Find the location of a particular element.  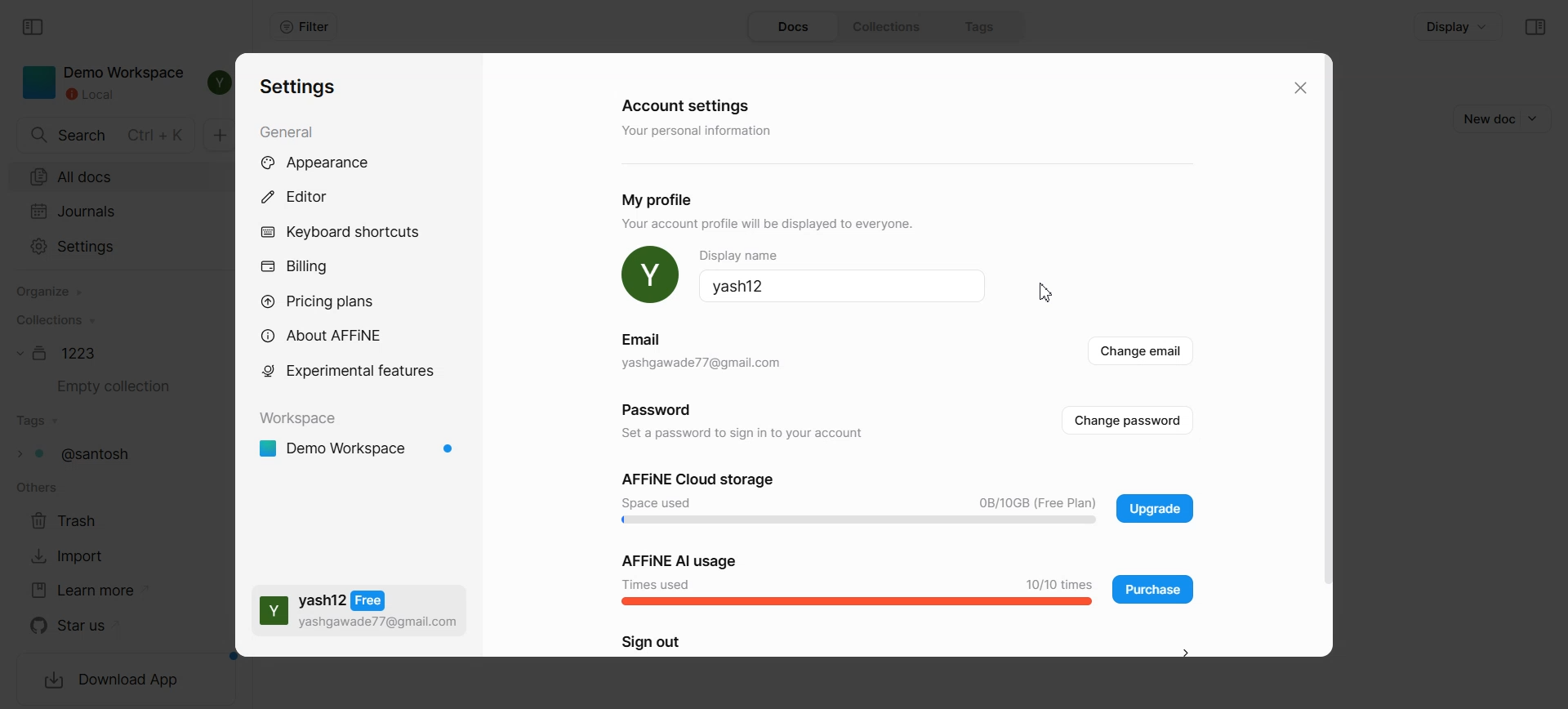

Trash is located at coordinates (73, 519).